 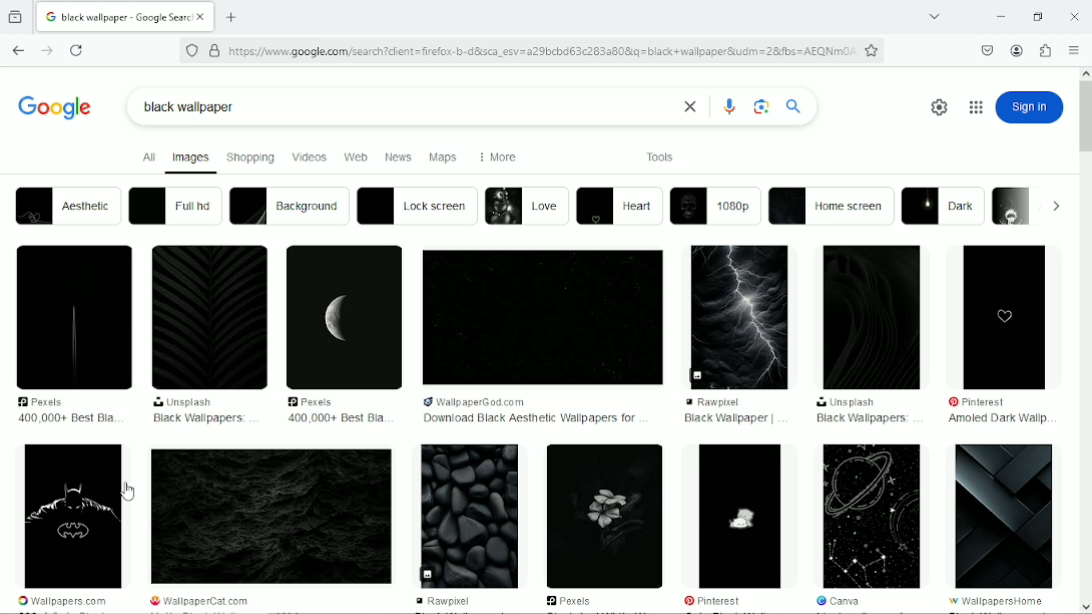 What do you see at coordinates (449, 602) in the screenshot?
I see `rawpixel` at bounding box center [449, 602].